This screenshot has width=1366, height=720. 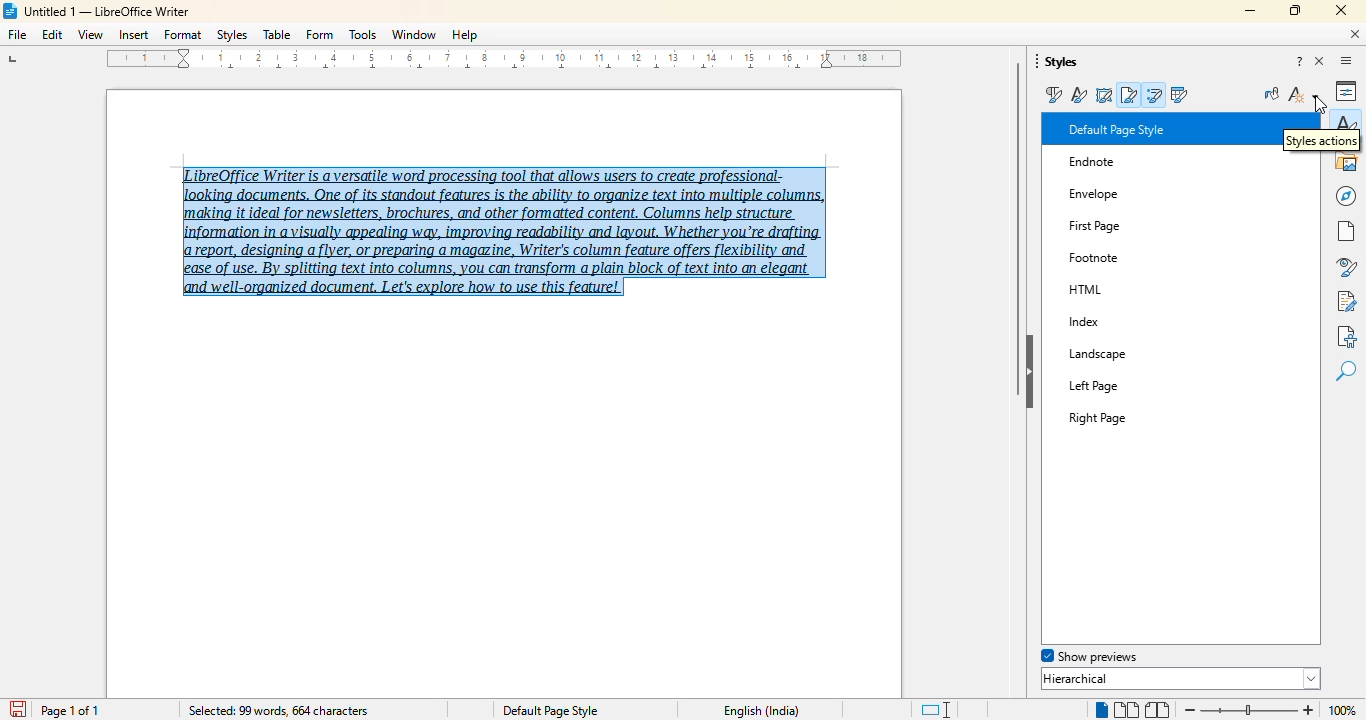 I want to click on save document, so click(x=19, y=708).